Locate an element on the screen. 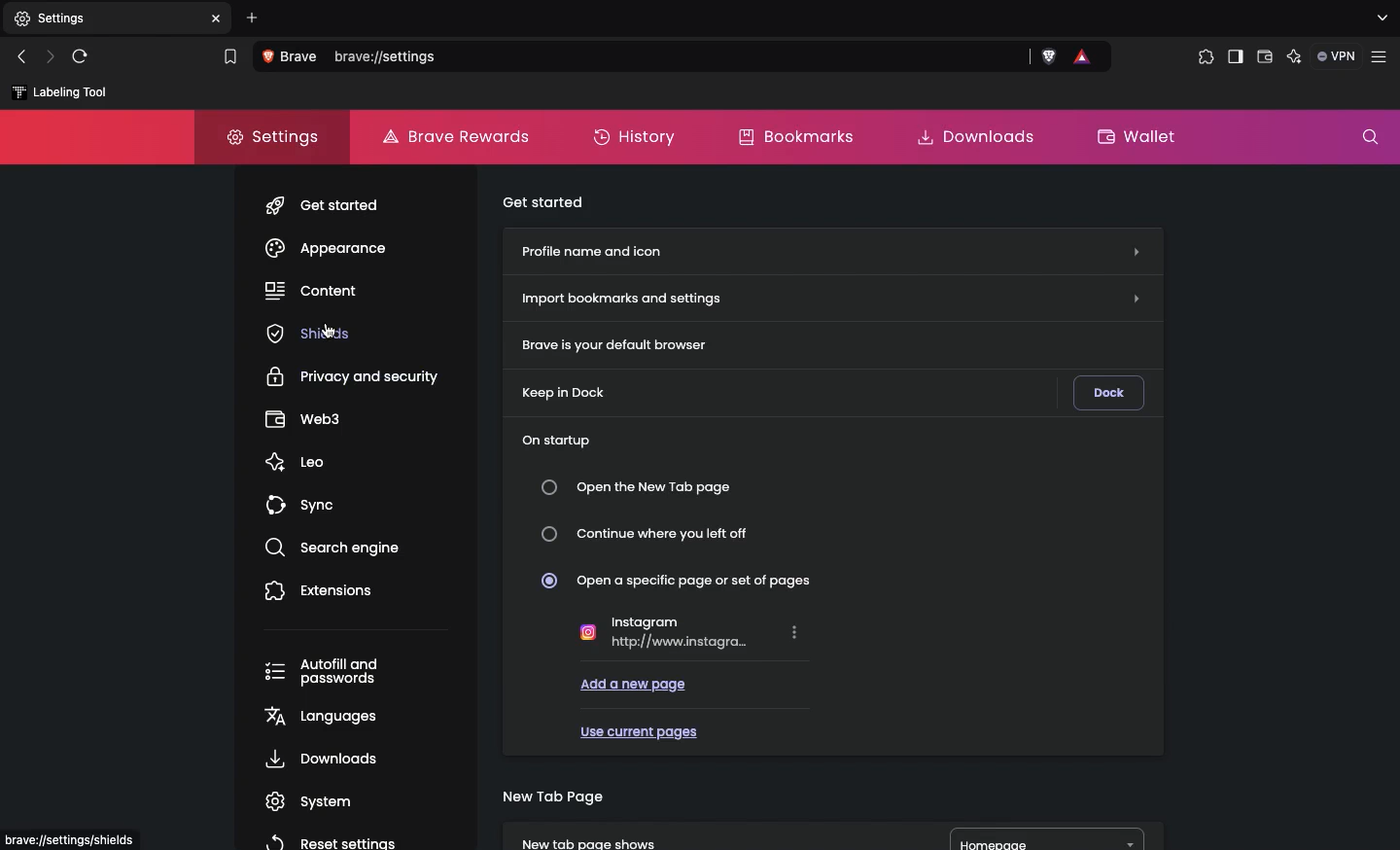  Downloads is located at coordinates (329, 757).